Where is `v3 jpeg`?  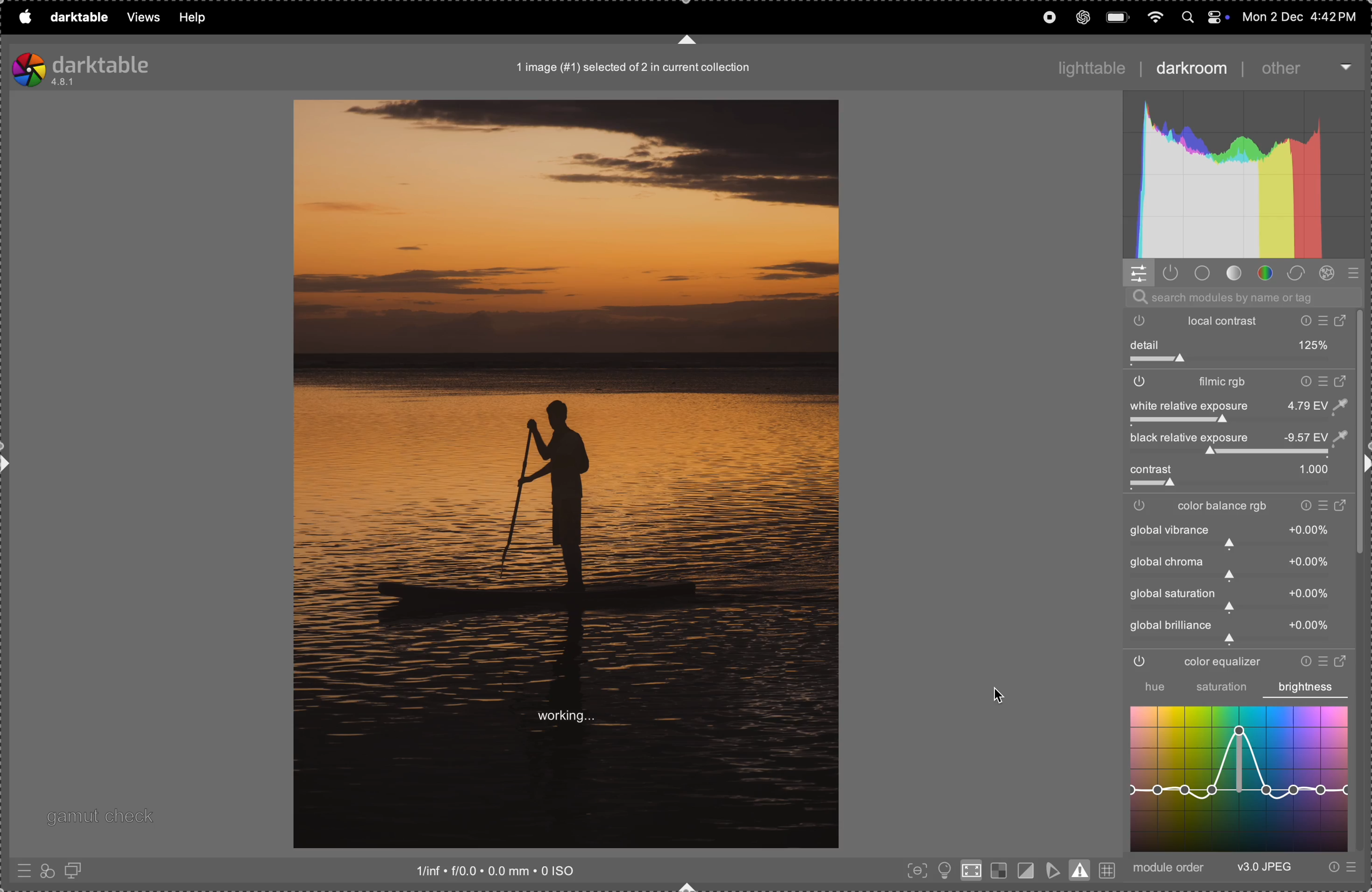 v3 jpeg is located at coordinates (1264, 868).